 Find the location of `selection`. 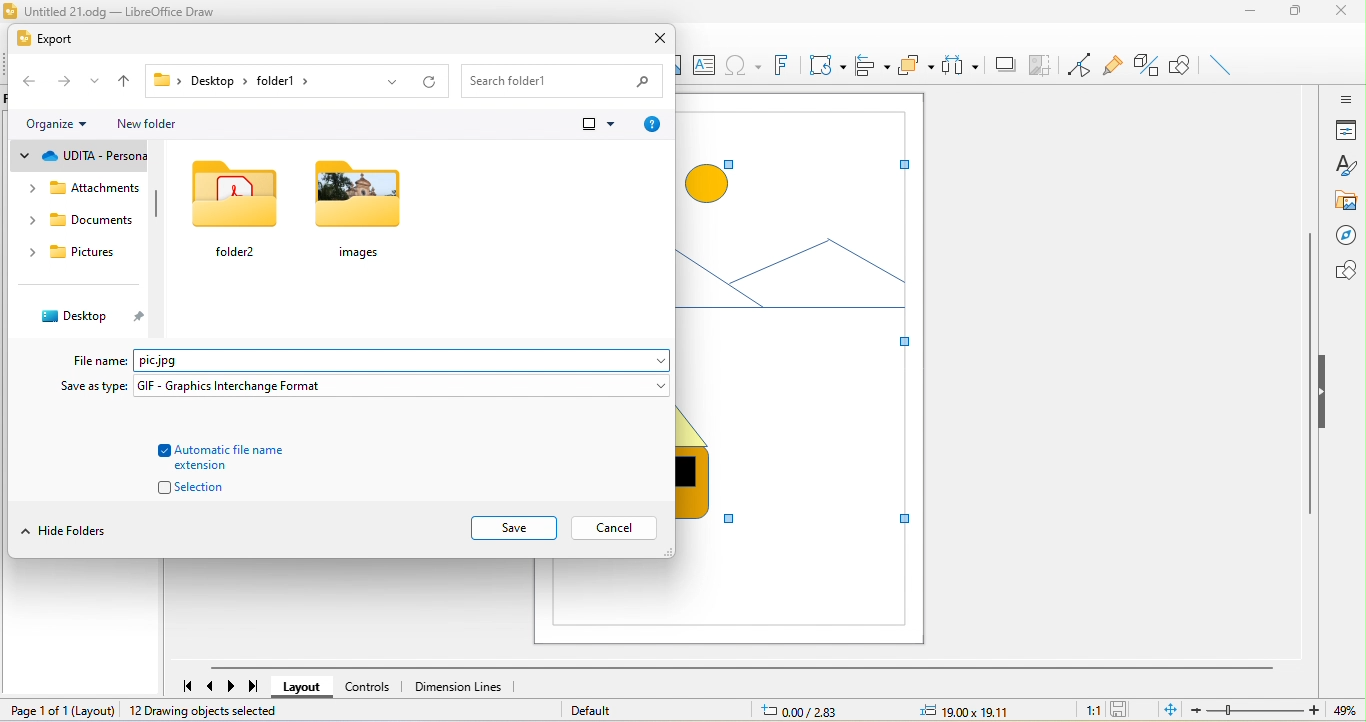

selection is located at coordinates (182, 490).